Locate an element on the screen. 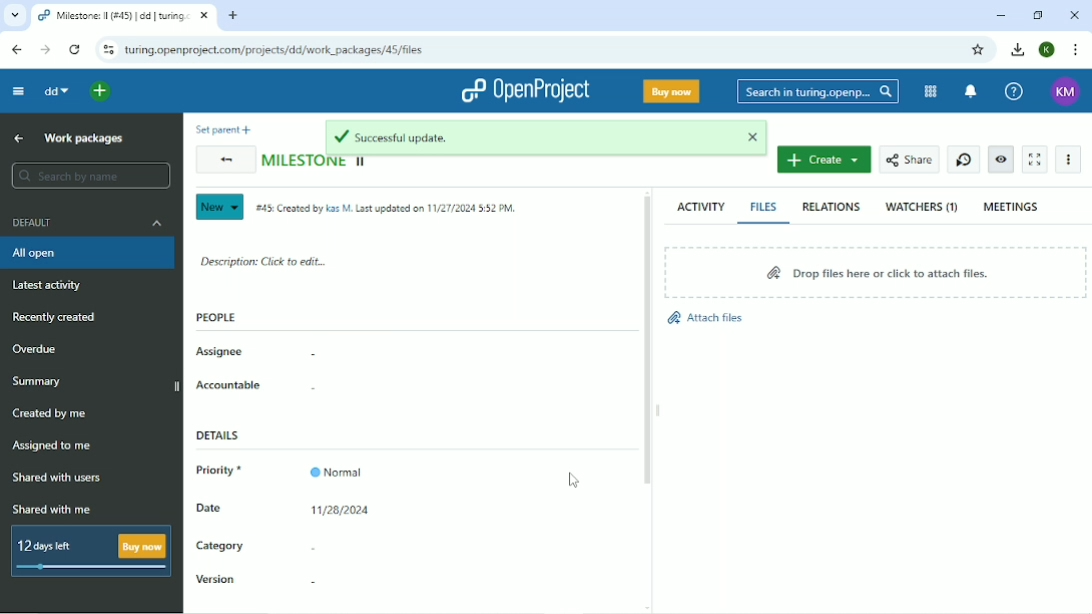 This screenshot has width=1092, height=614. View site information  is located at coordinates (105, 49).